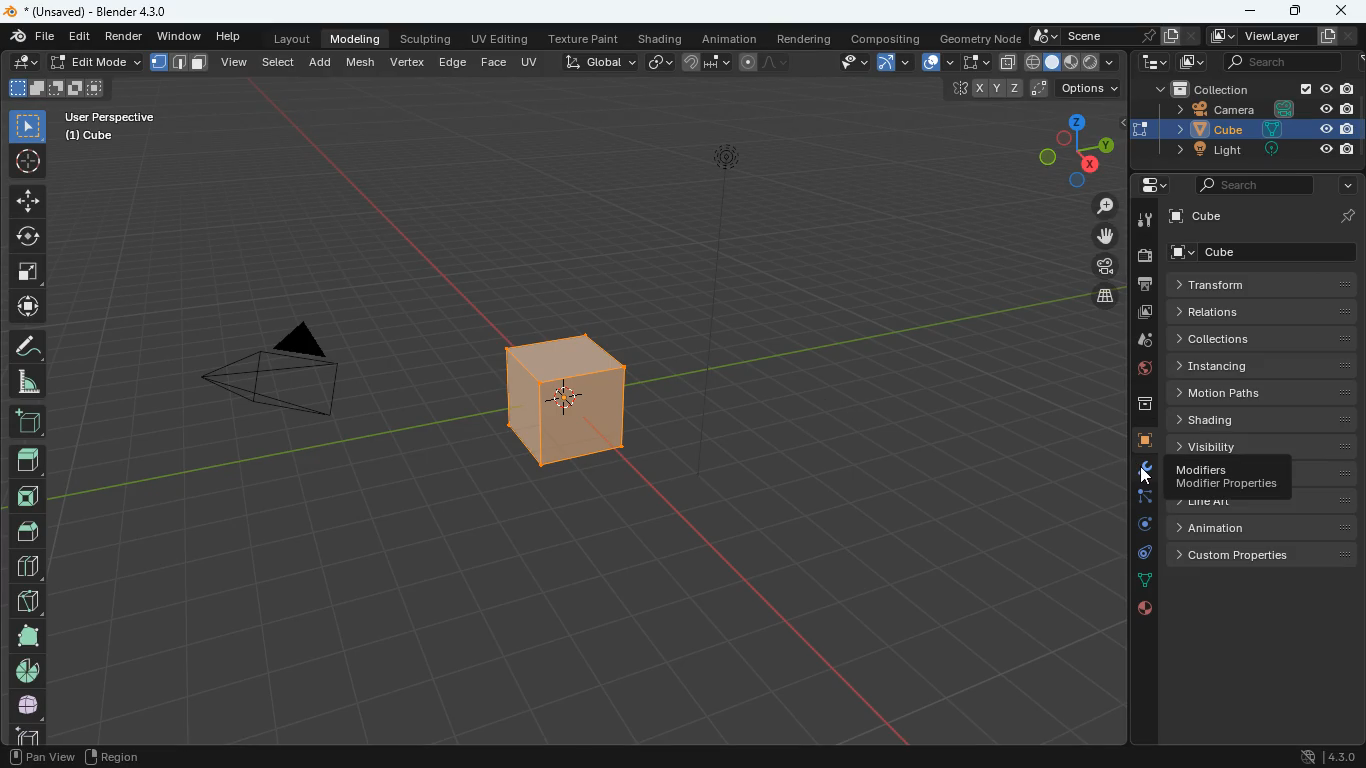 The height and width of the screenshot is (768, 1366). Describe the element at coordinates (1135, 442) in the screenshot. I see `cube` at that location.